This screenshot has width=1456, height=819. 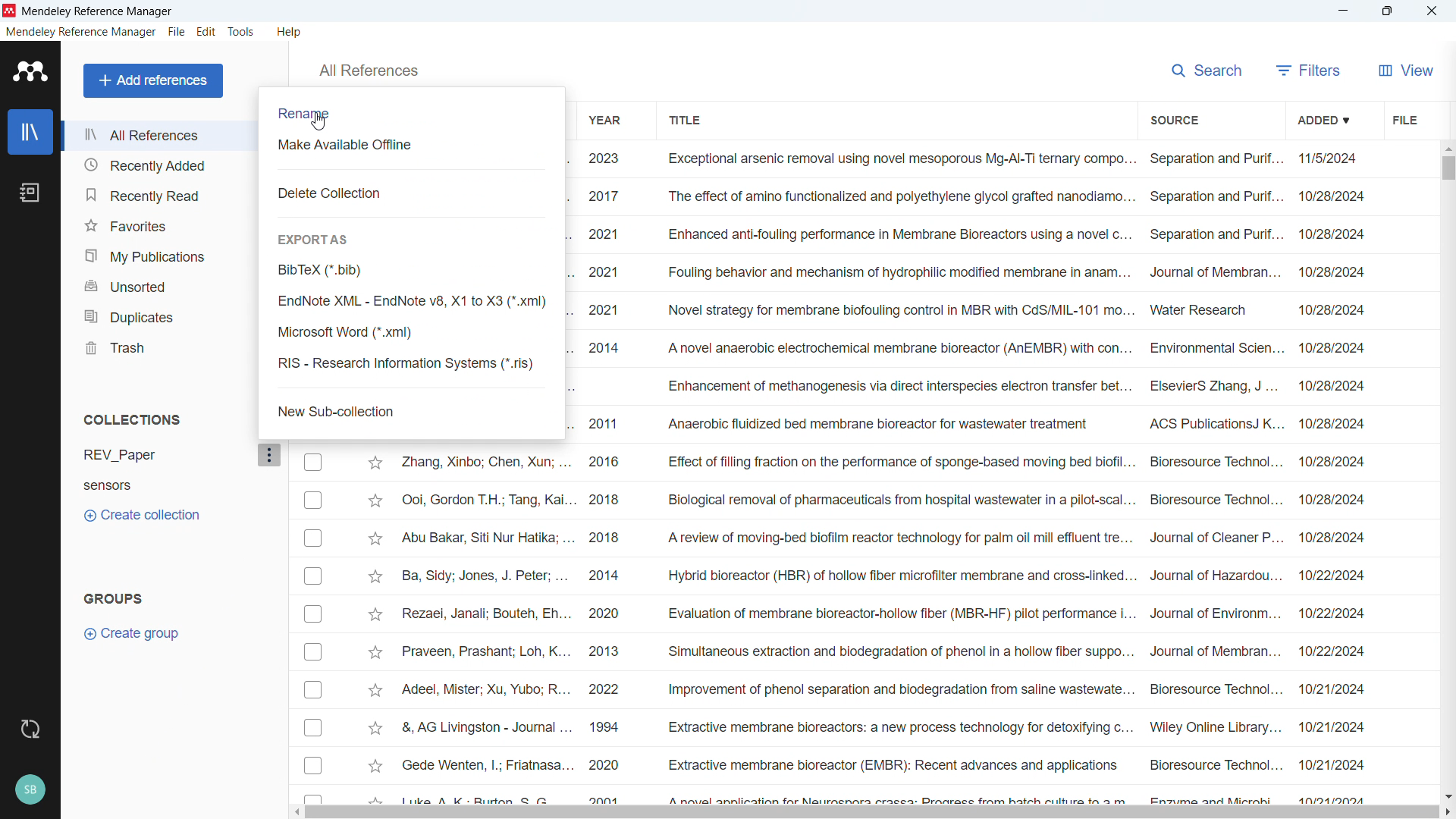 I want to click on Star mark respective publication, so click(x=375, y=652).